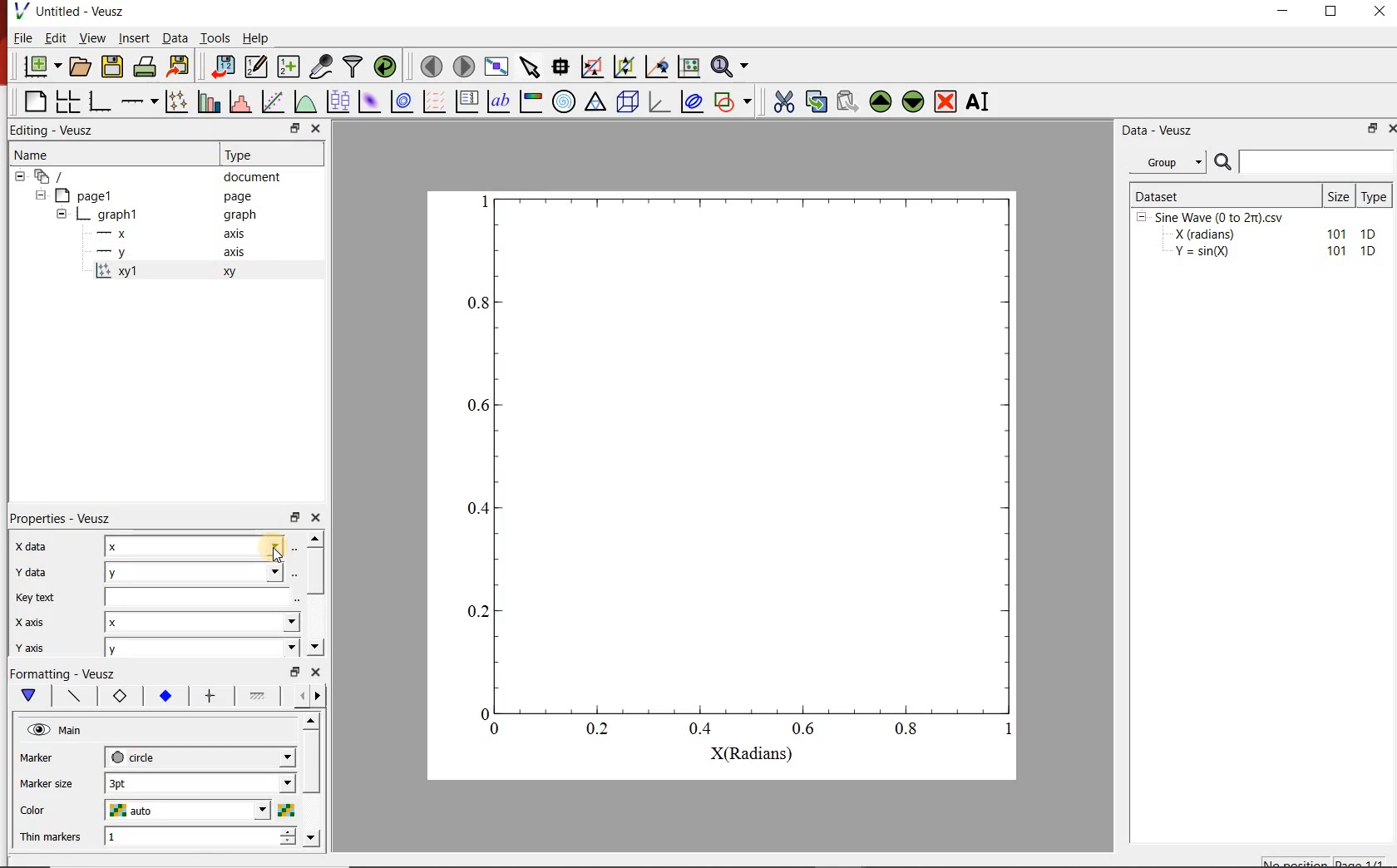 The height and width of the screenshot is (868, 1397). I want to click on click to zoom out, so click(627, 65).